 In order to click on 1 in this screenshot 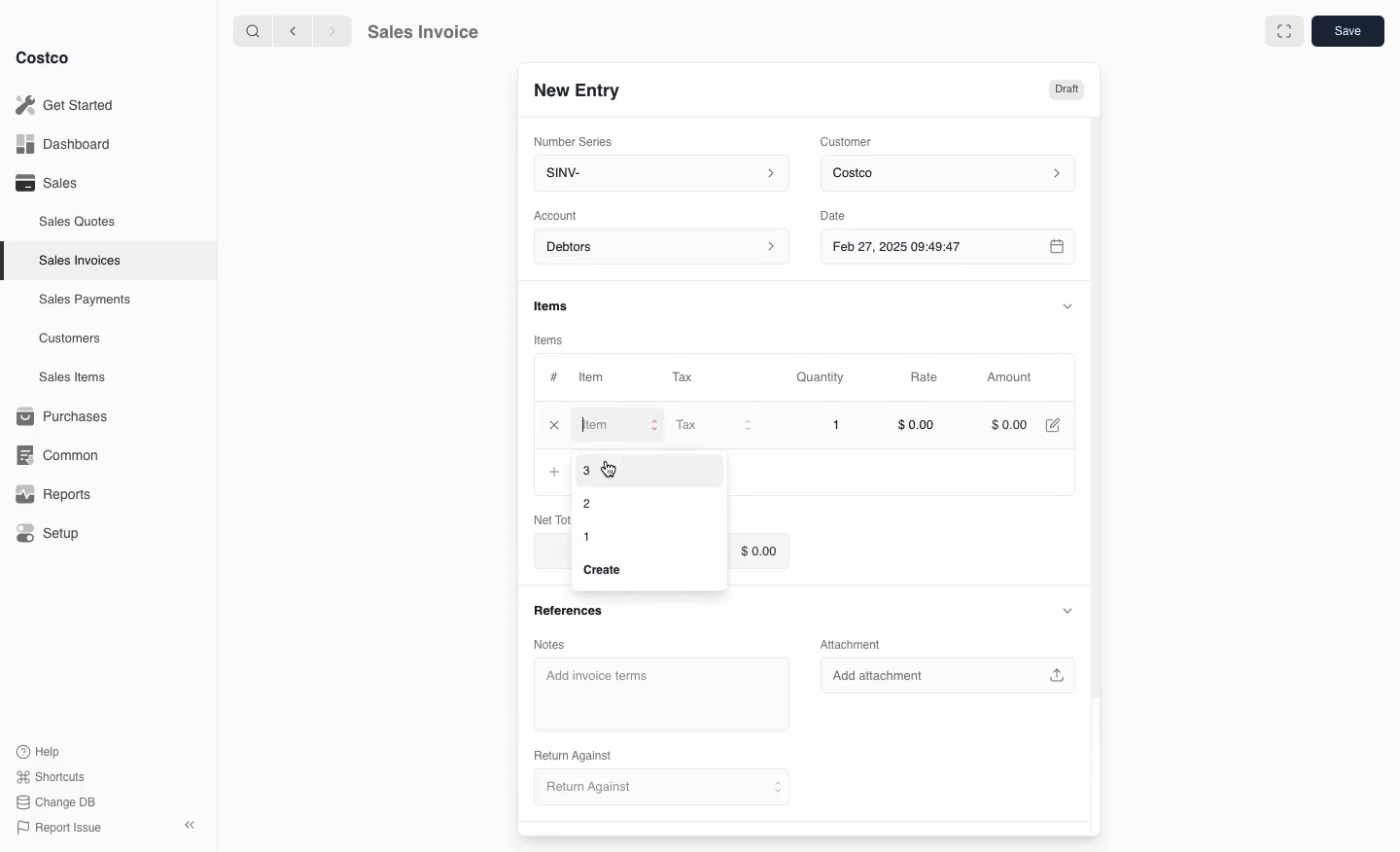, I will do `click(589, 538)`.